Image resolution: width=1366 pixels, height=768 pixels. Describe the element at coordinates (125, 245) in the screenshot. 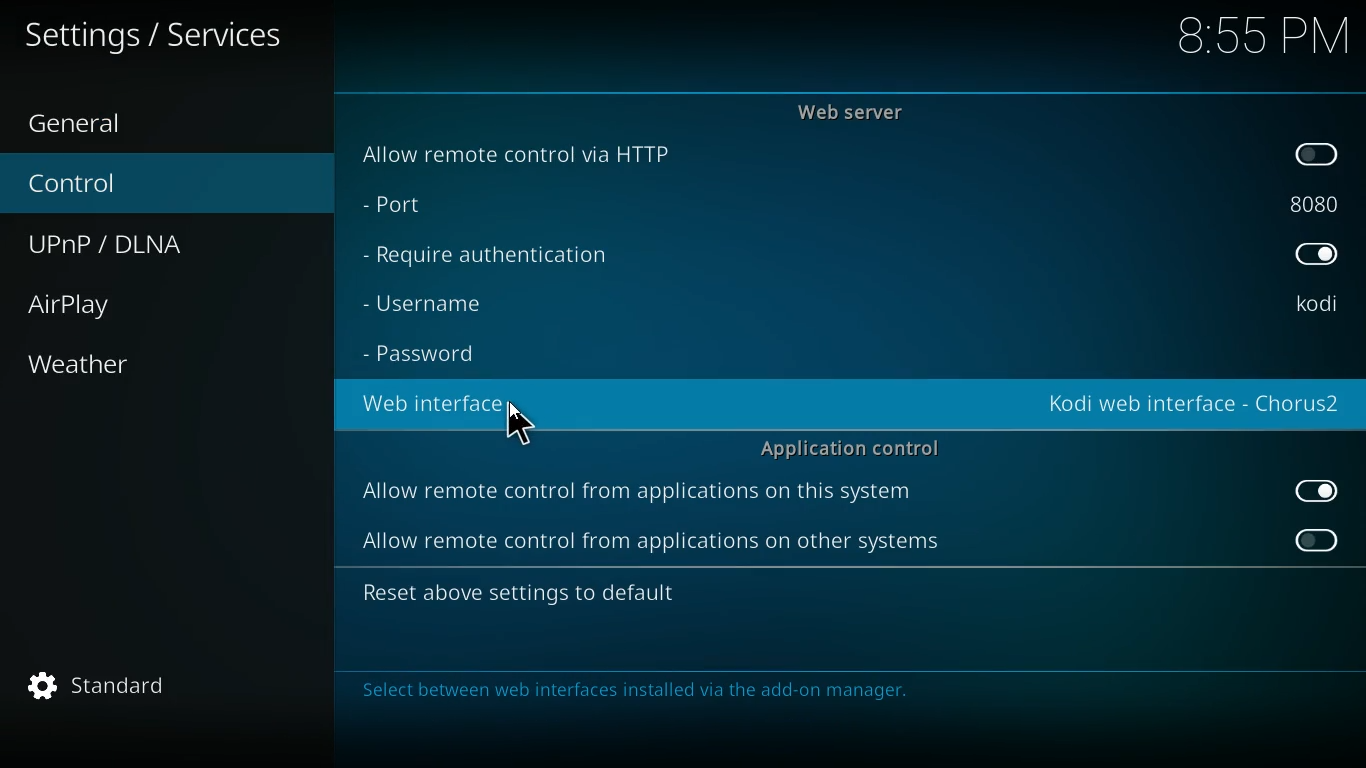

I see `UPnP / DLNA` at that location.